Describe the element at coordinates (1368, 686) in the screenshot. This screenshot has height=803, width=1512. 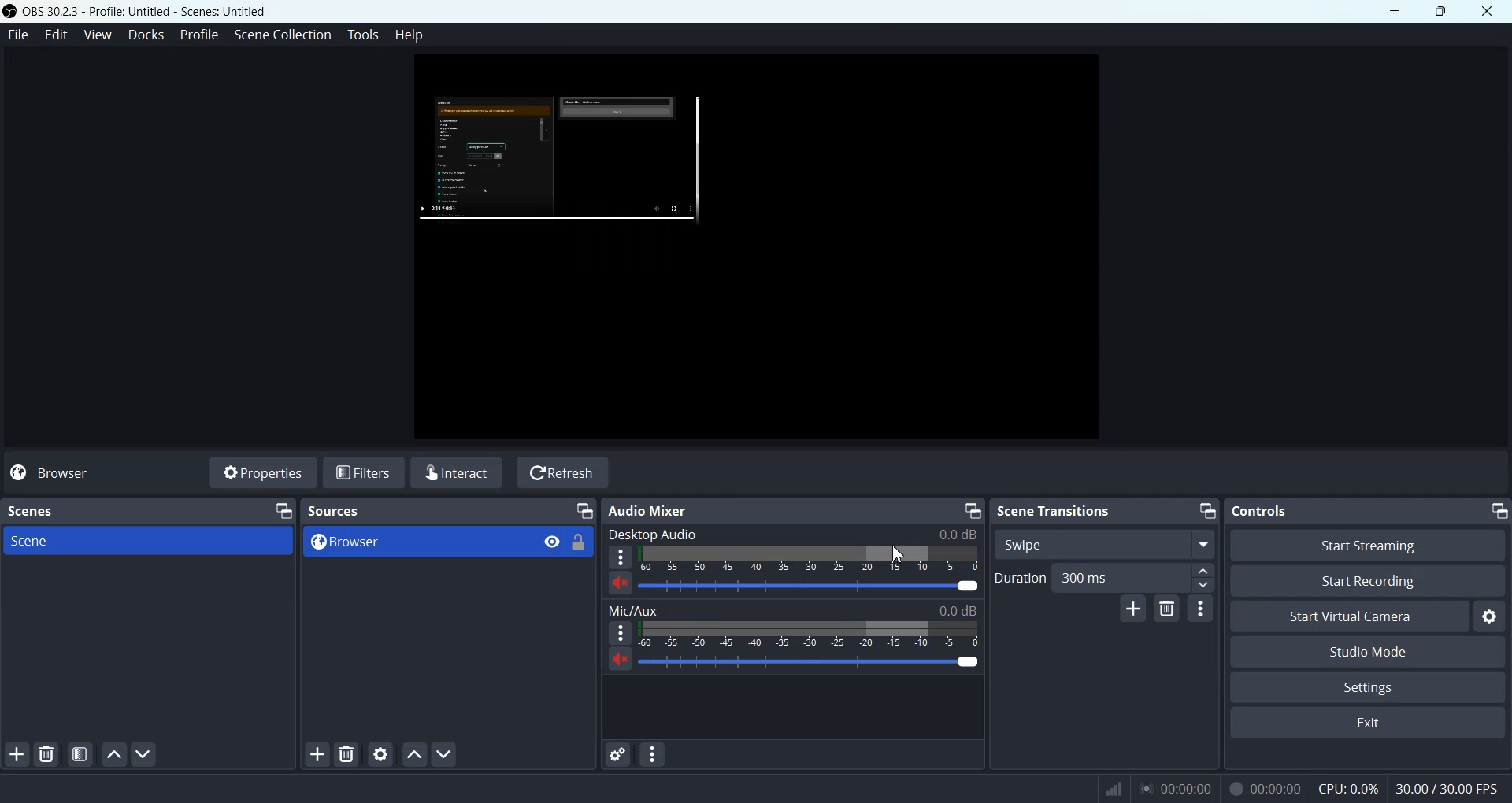
I see `Settings` at that location.